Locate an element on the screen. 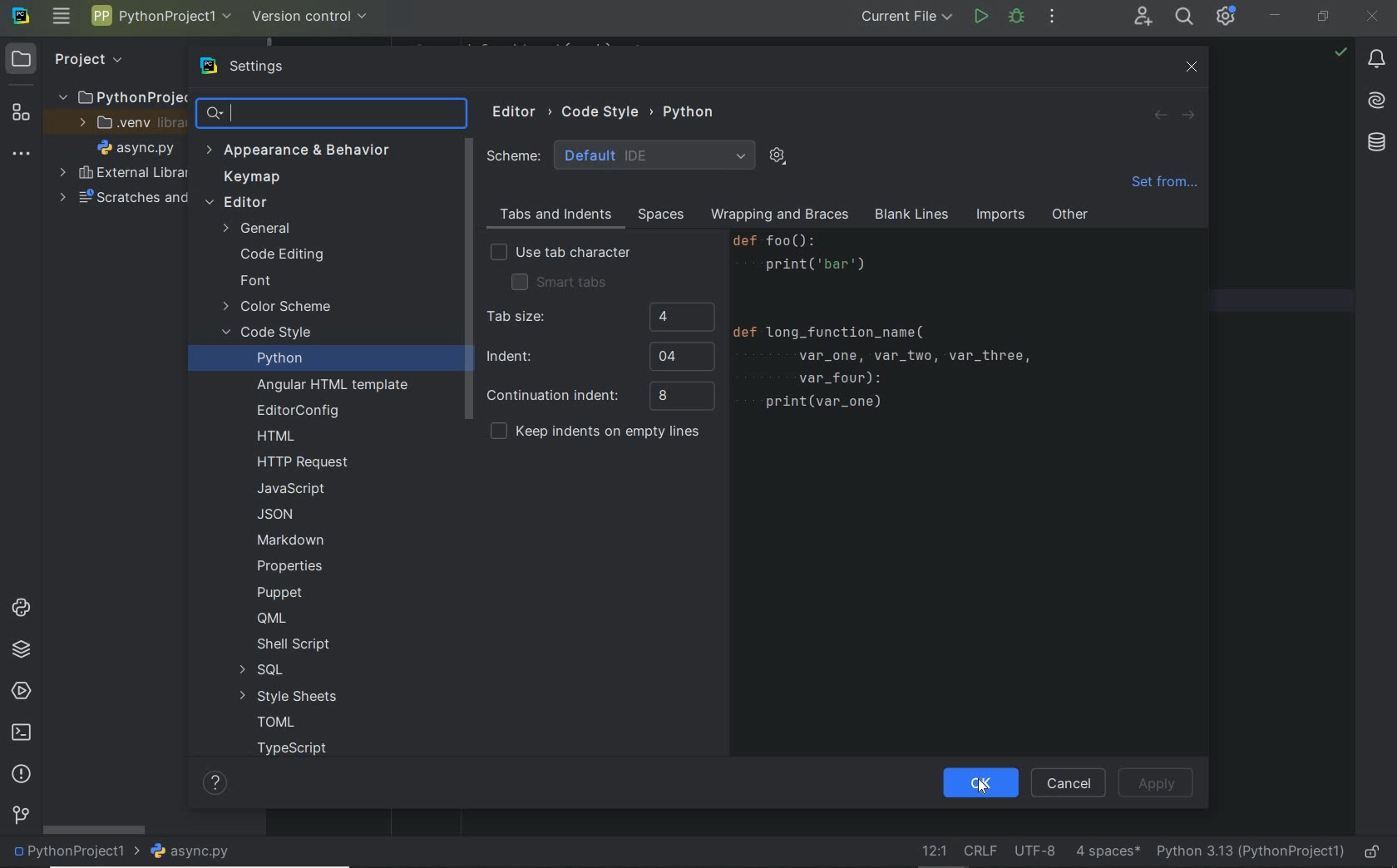  OK is located at coordinates (976, 784).